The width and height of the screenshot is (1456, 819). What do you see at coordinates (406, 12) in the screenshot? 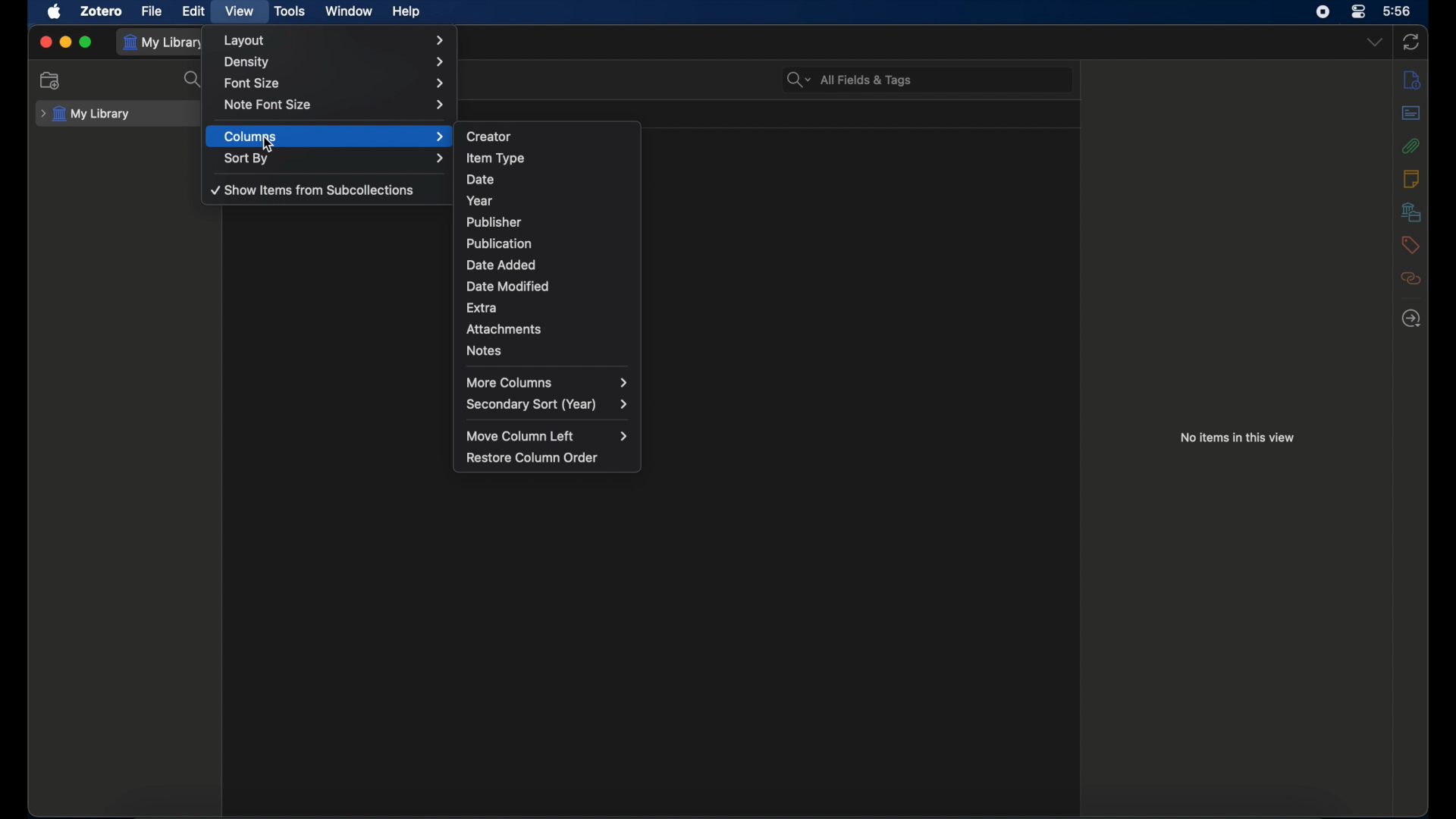
I see `help` at bounding box center [406, 12].